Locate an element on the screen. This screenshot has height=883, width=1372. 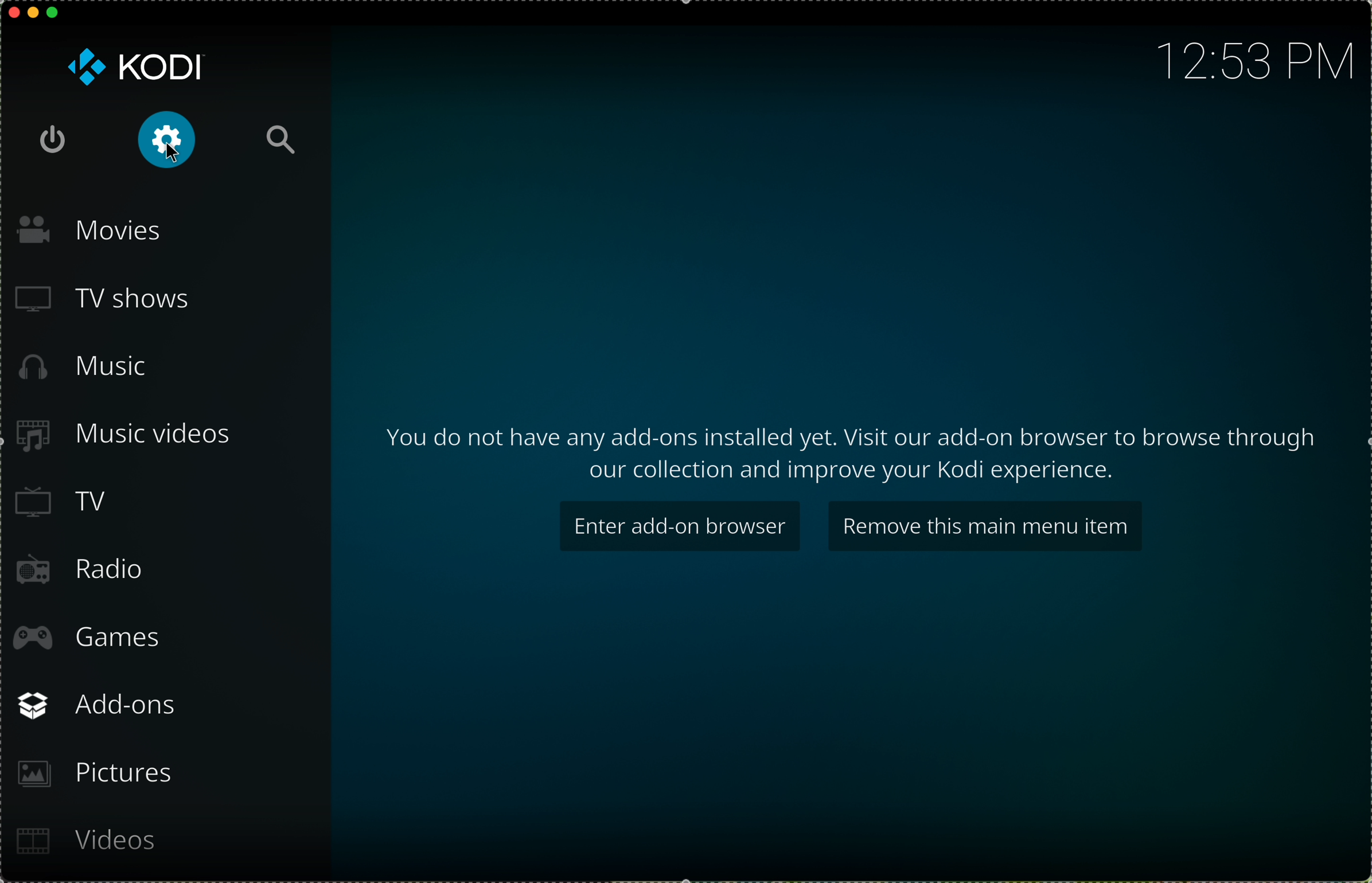
maximize is located at coordinates (53, 17).